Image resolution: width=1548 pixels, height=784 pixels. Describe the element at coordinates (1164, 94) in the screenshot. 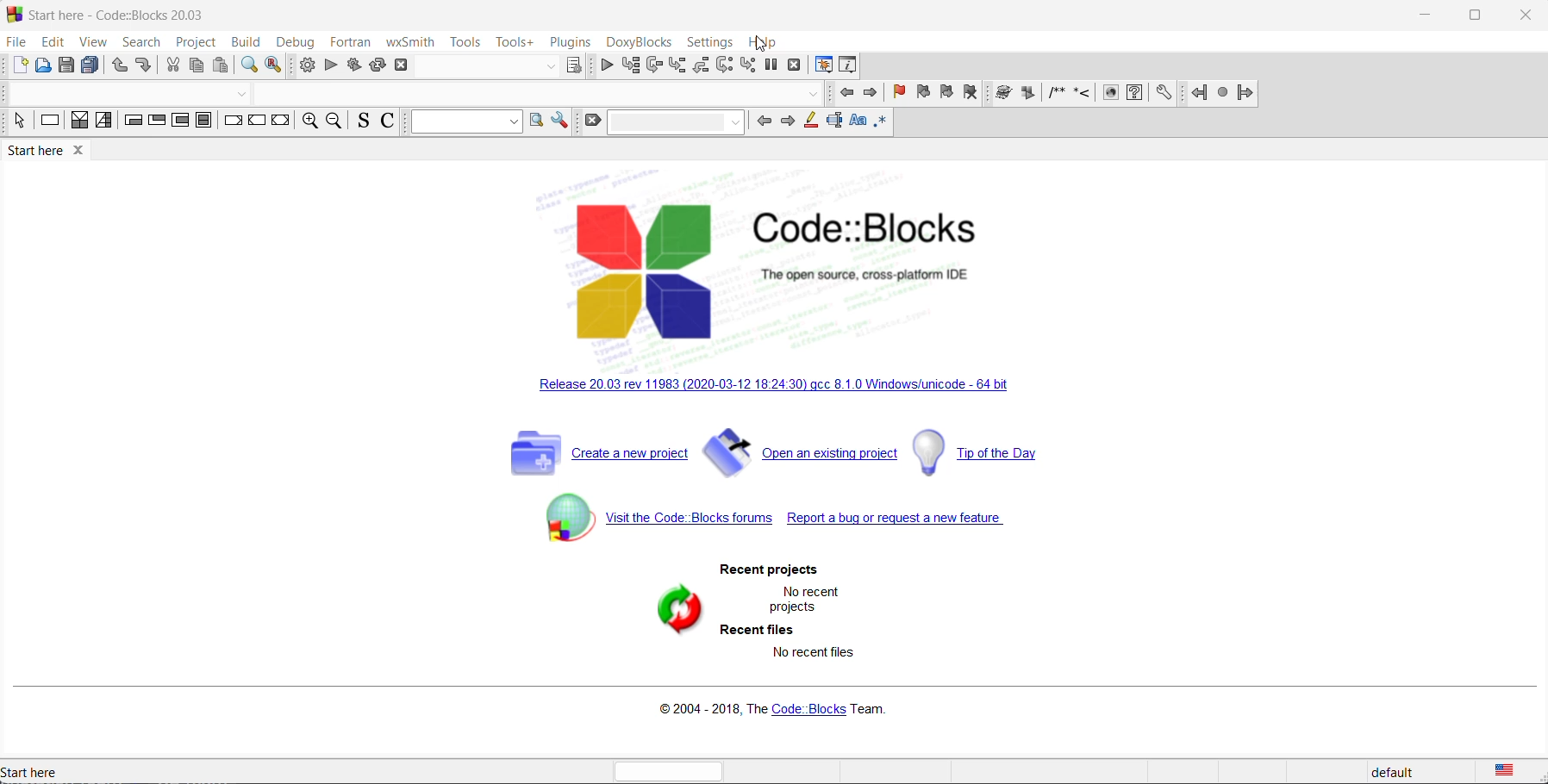

I see `settings` at that location.